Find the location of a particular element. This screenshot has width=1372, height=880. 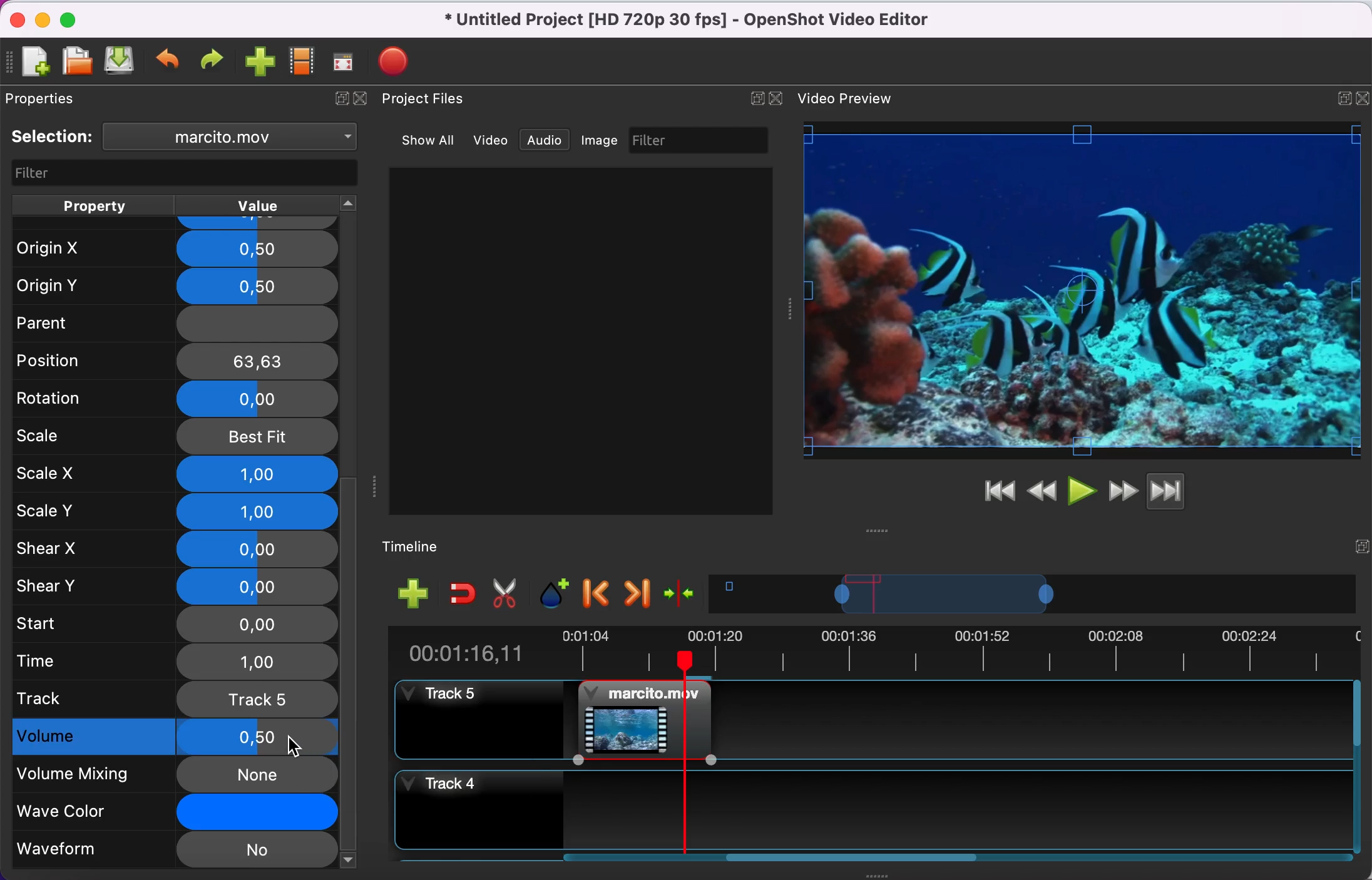

track 5 is located at coordinates (473, 719).